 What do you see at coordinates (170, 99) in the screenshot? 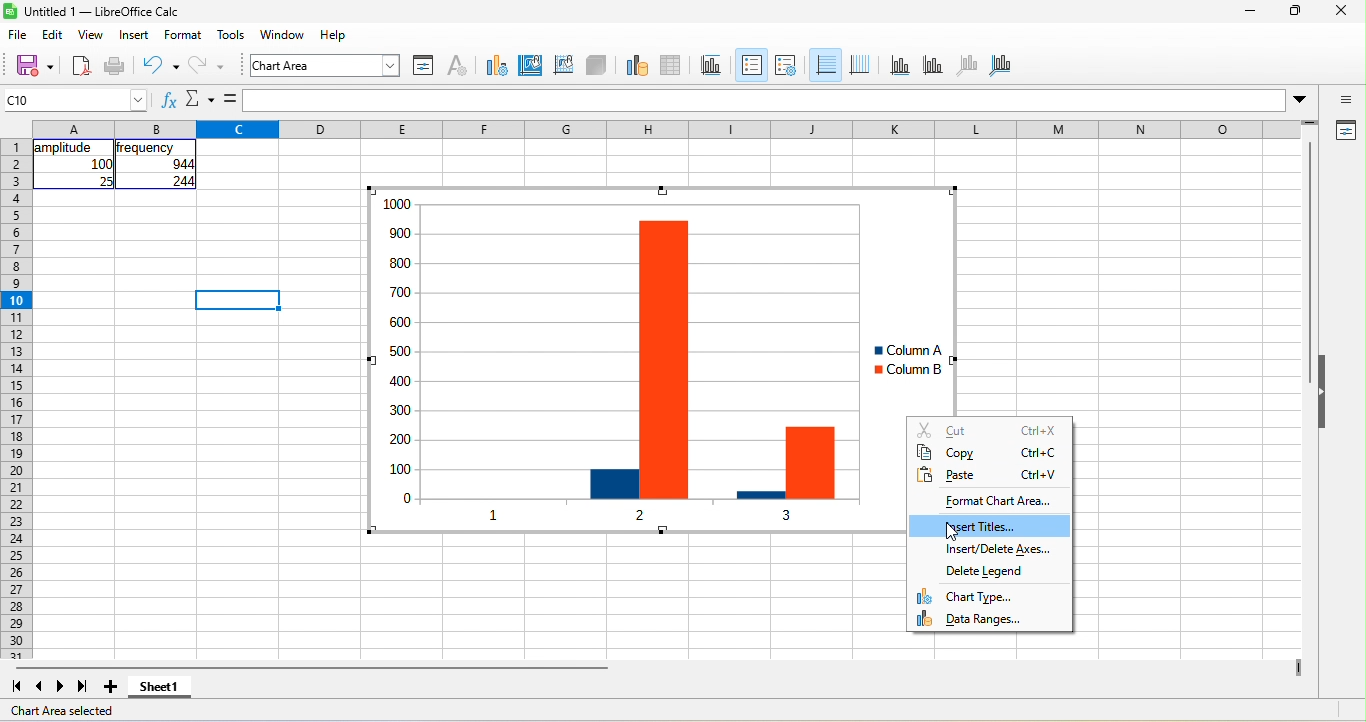
I see `fx` at bounding box center [170, 99].